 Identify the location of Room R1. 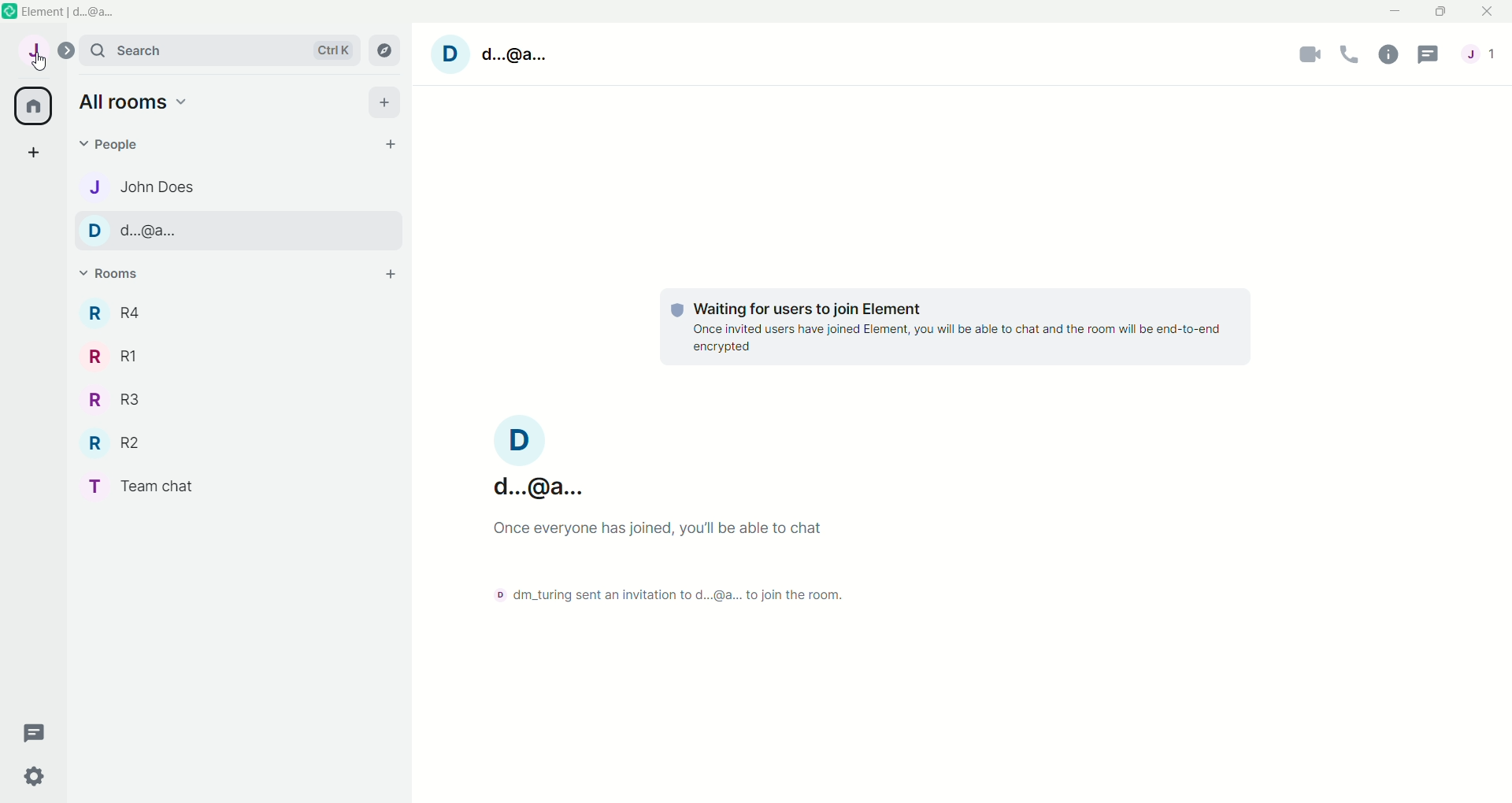
(108, 354).